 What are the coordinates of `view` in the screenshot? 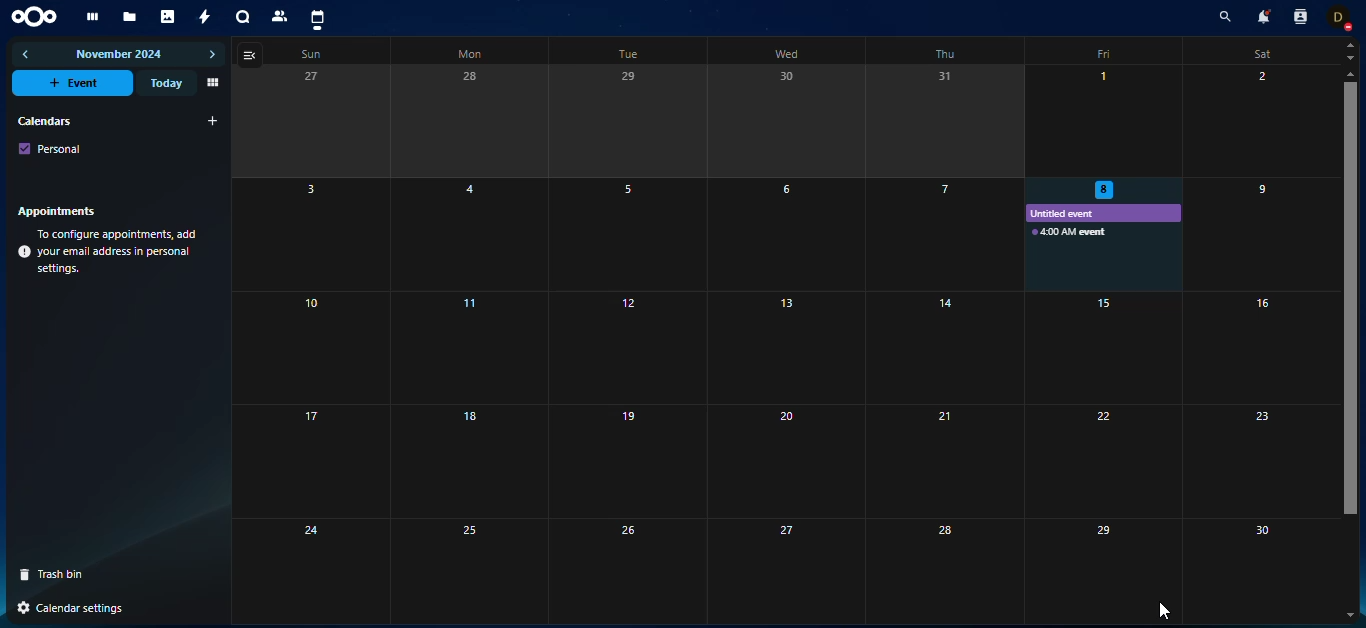 It's located at (252, 55).